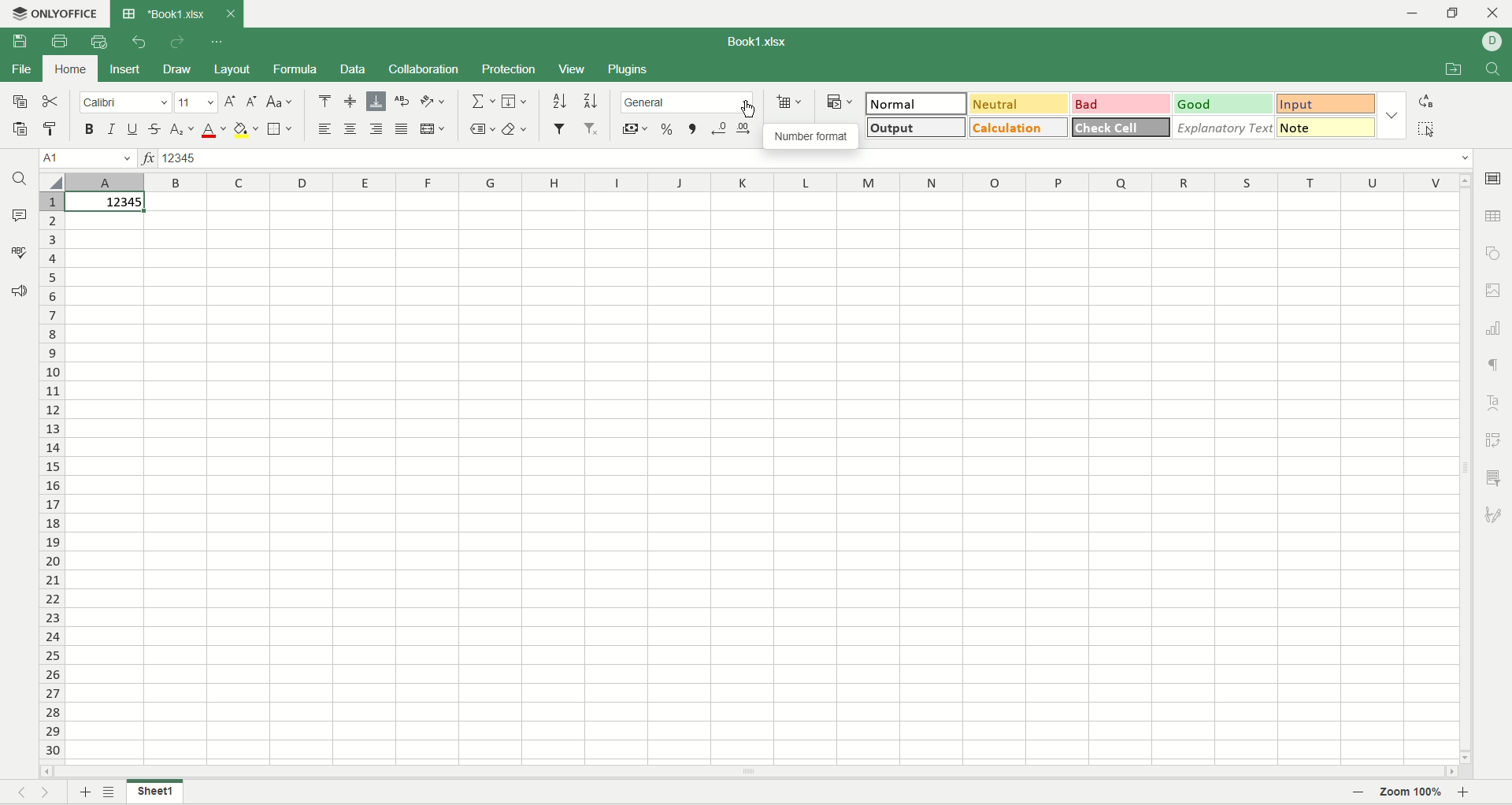 The image size is (1512, 805). I want to click on print, so click(60, 41).